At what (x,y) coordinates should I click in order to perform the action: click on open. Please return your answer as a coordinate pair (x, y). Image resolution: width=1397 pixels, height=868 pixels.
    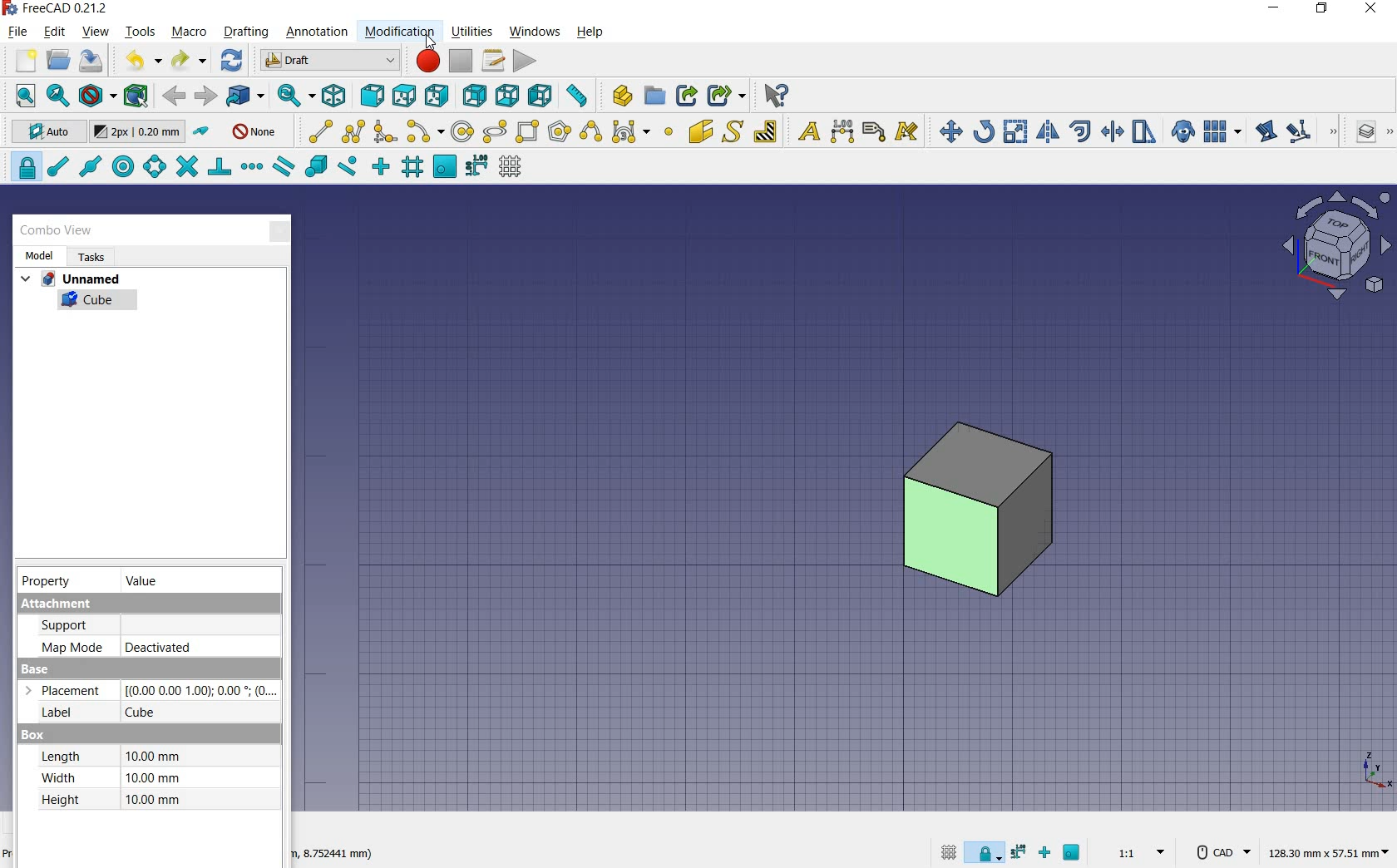
    Looking at the image, I should click on (61, 61).